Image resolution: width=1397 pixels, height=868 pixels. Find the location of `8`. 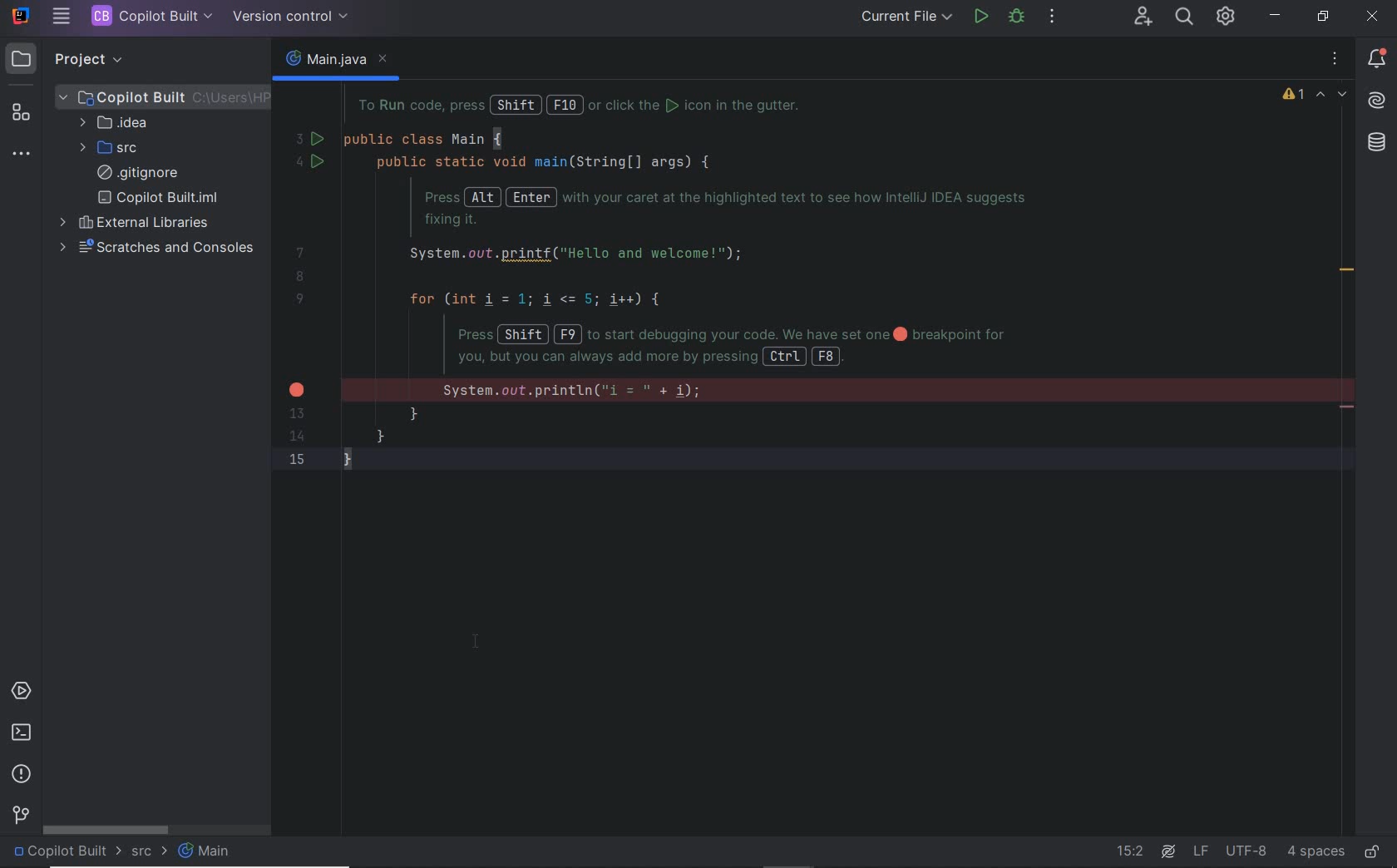

8 is located at coordinates (301, 277).